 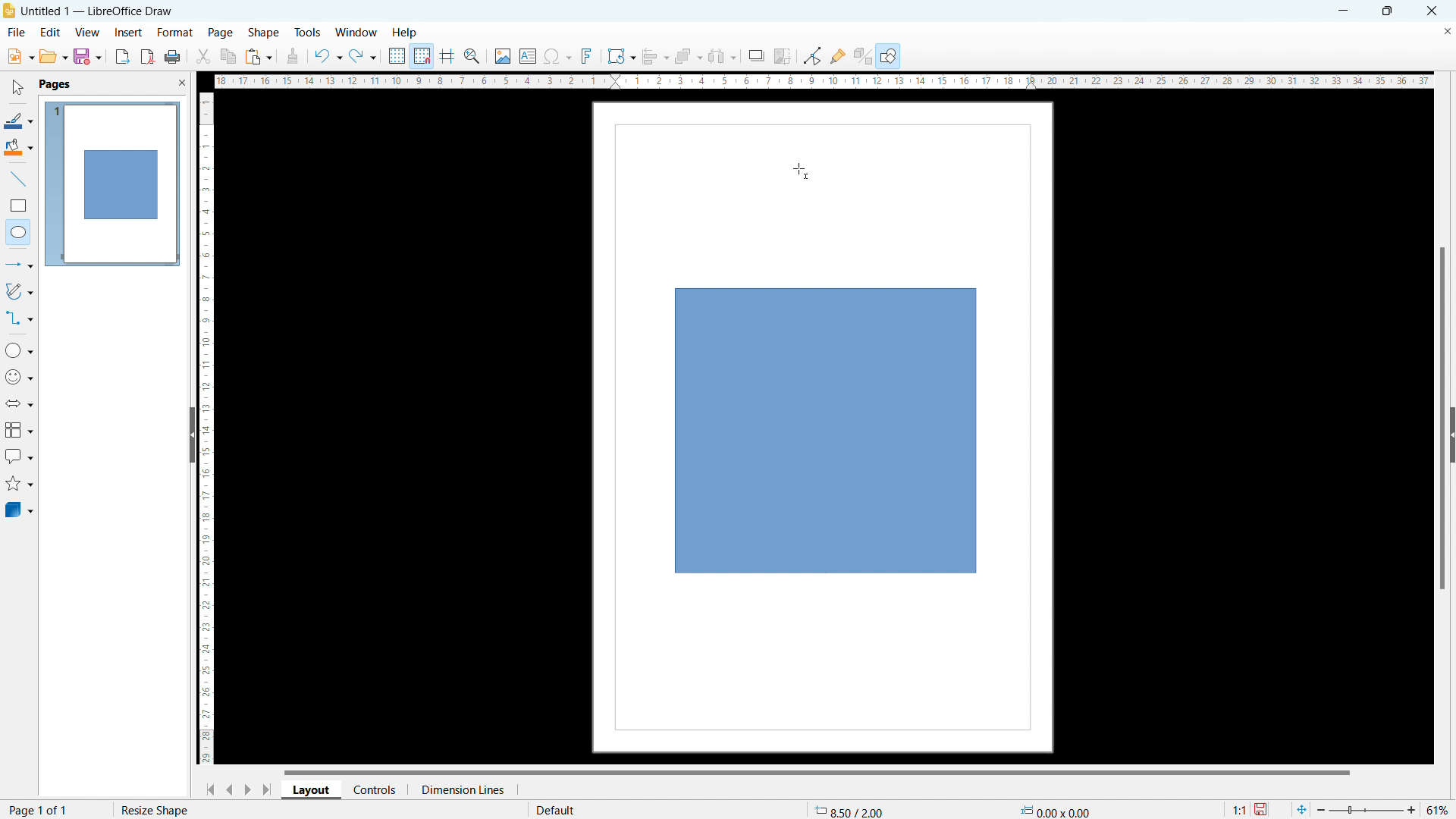 What do you see at coordinates (18, 485) in the screenshot?
I see `stars and banners` at bounding box center [18, 485].